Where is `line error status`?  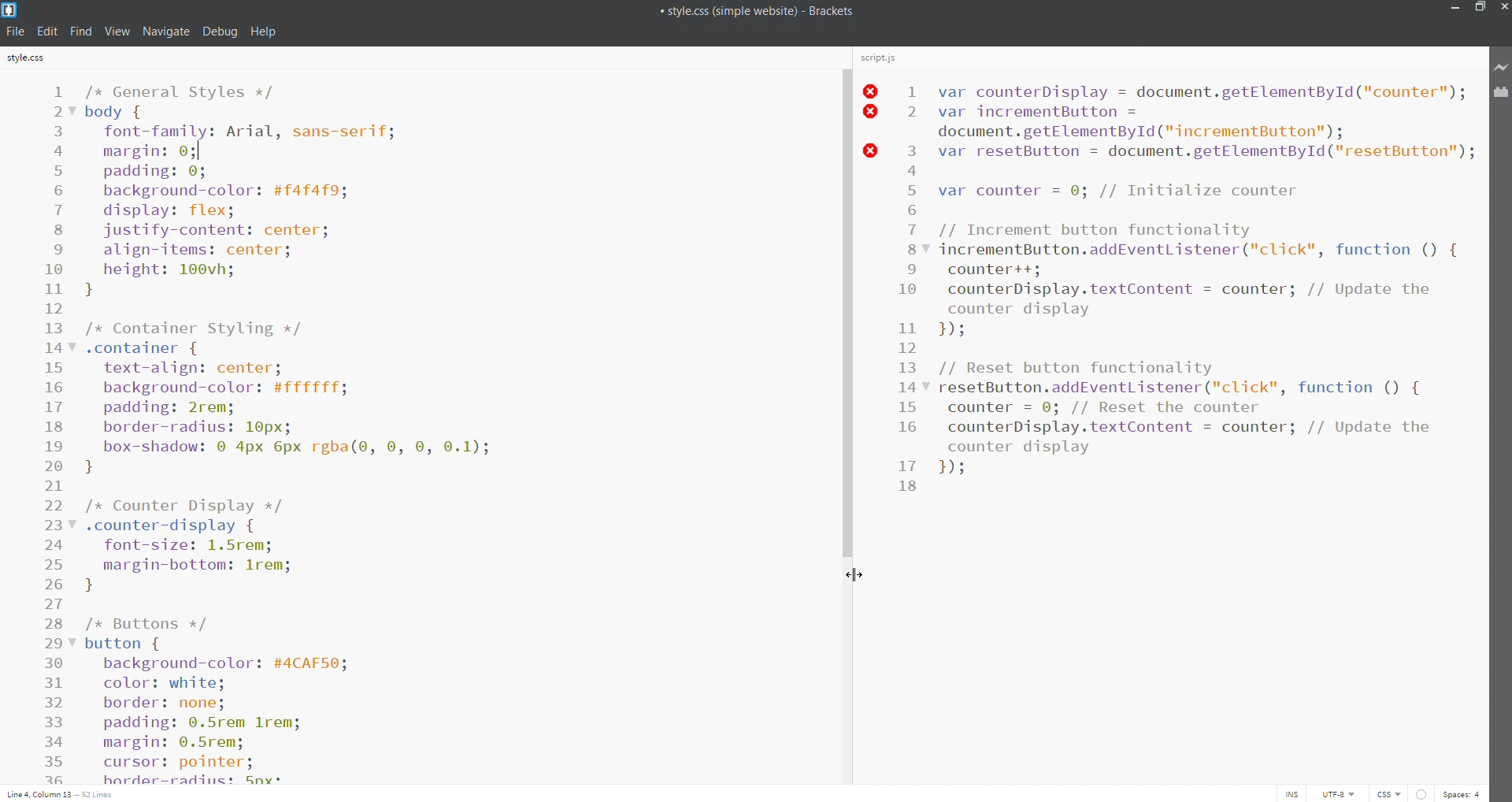
line error status is located at coordinates (873, 118).